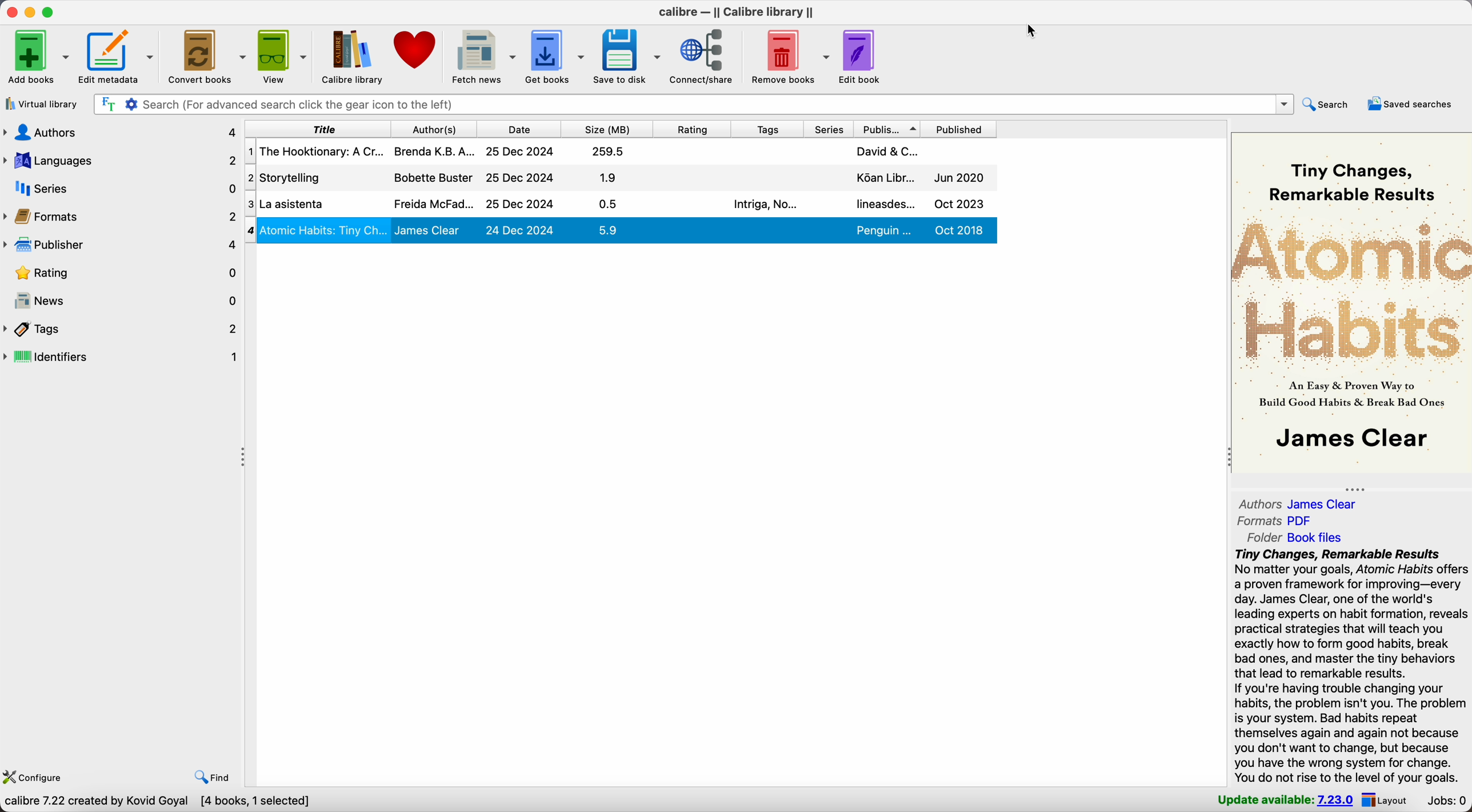 This screenshot has height=812, width=1472. Describe the element at coordinates (122, 358) in the screenshot. I see `identifiers` at that location.